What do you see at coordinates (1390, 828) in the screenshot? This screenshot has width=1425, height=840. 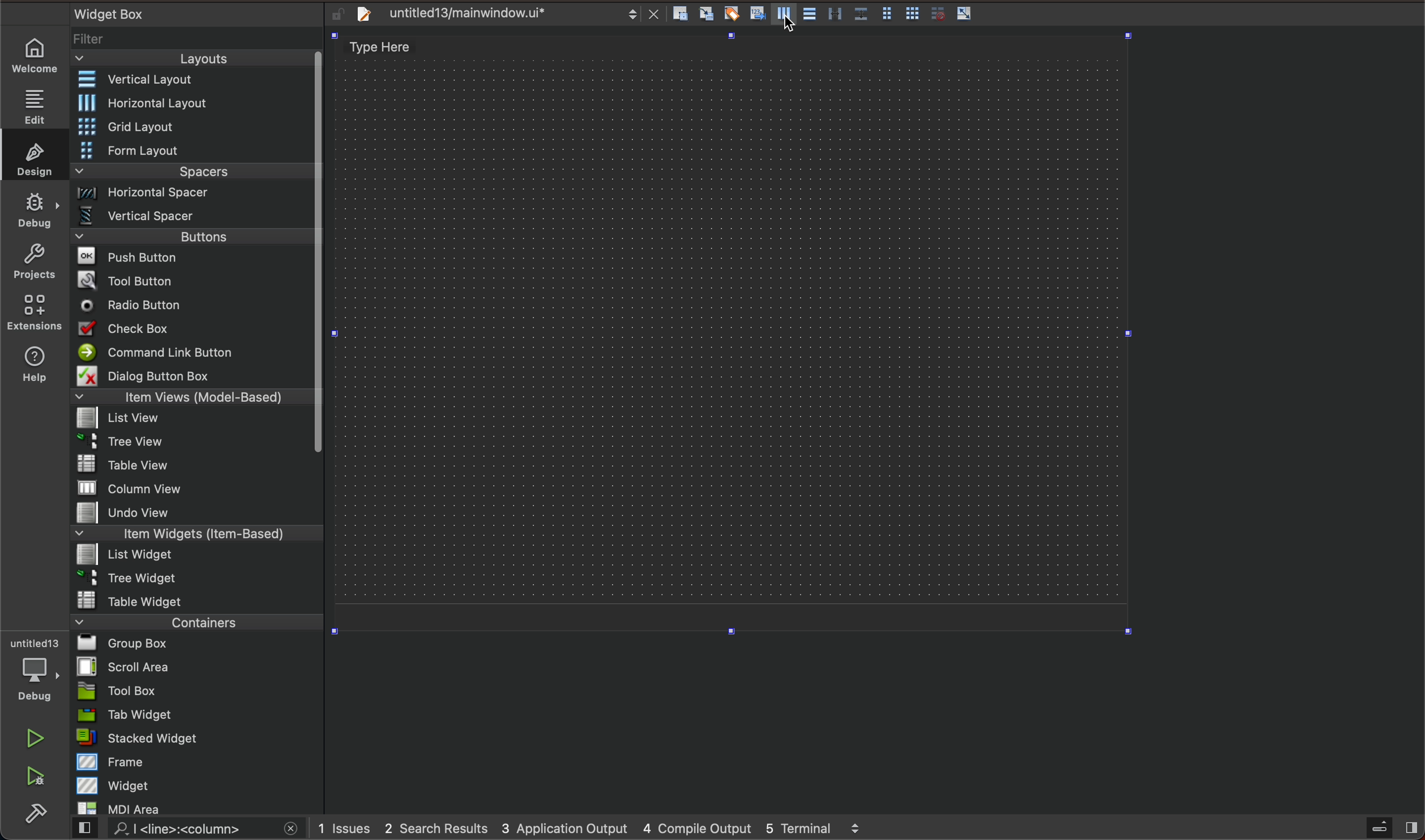 I see `close sidebar` at bounding box center [1390, 828].